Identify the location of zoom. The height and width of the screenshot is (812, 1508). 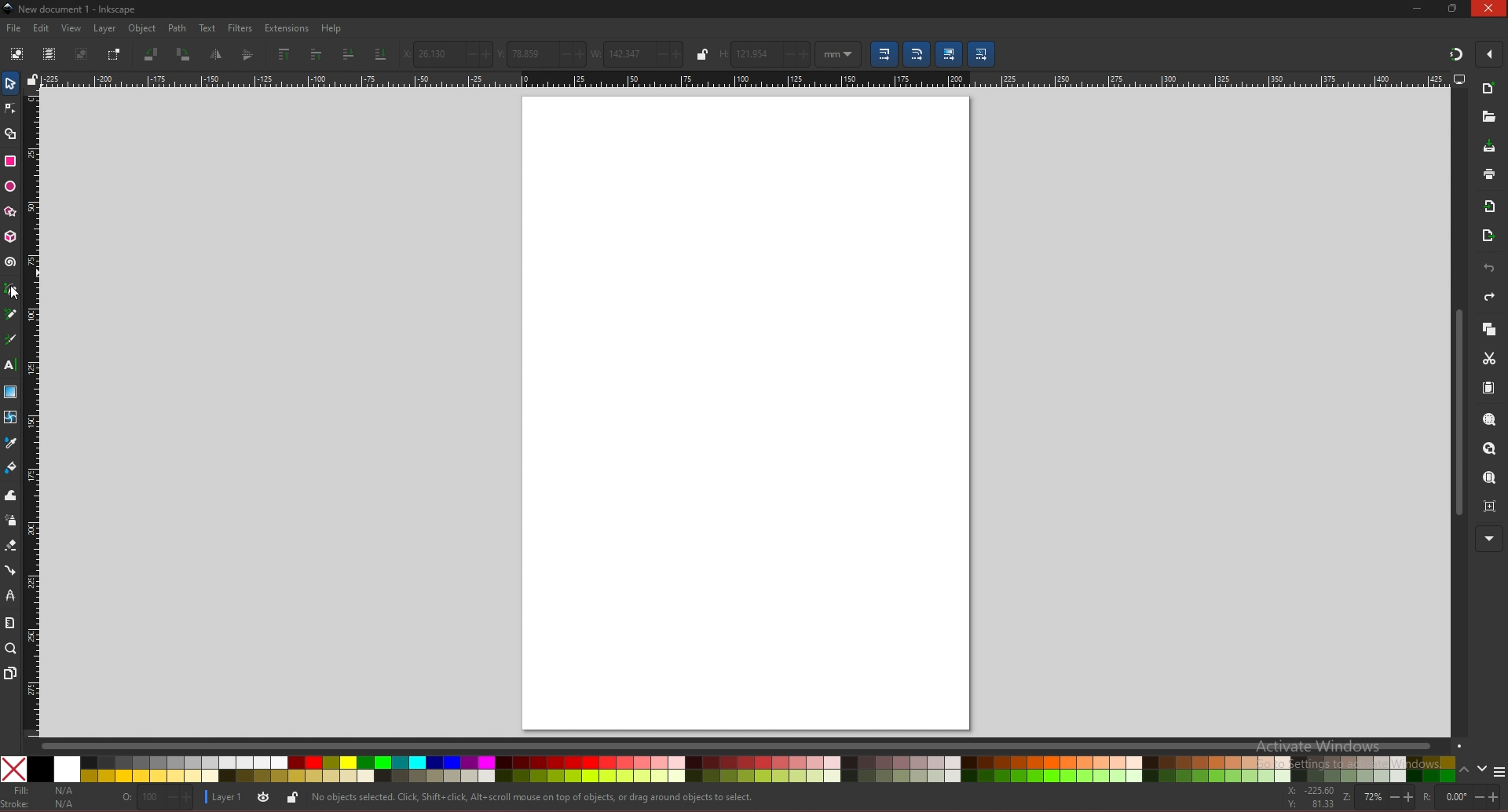
(11, 648).